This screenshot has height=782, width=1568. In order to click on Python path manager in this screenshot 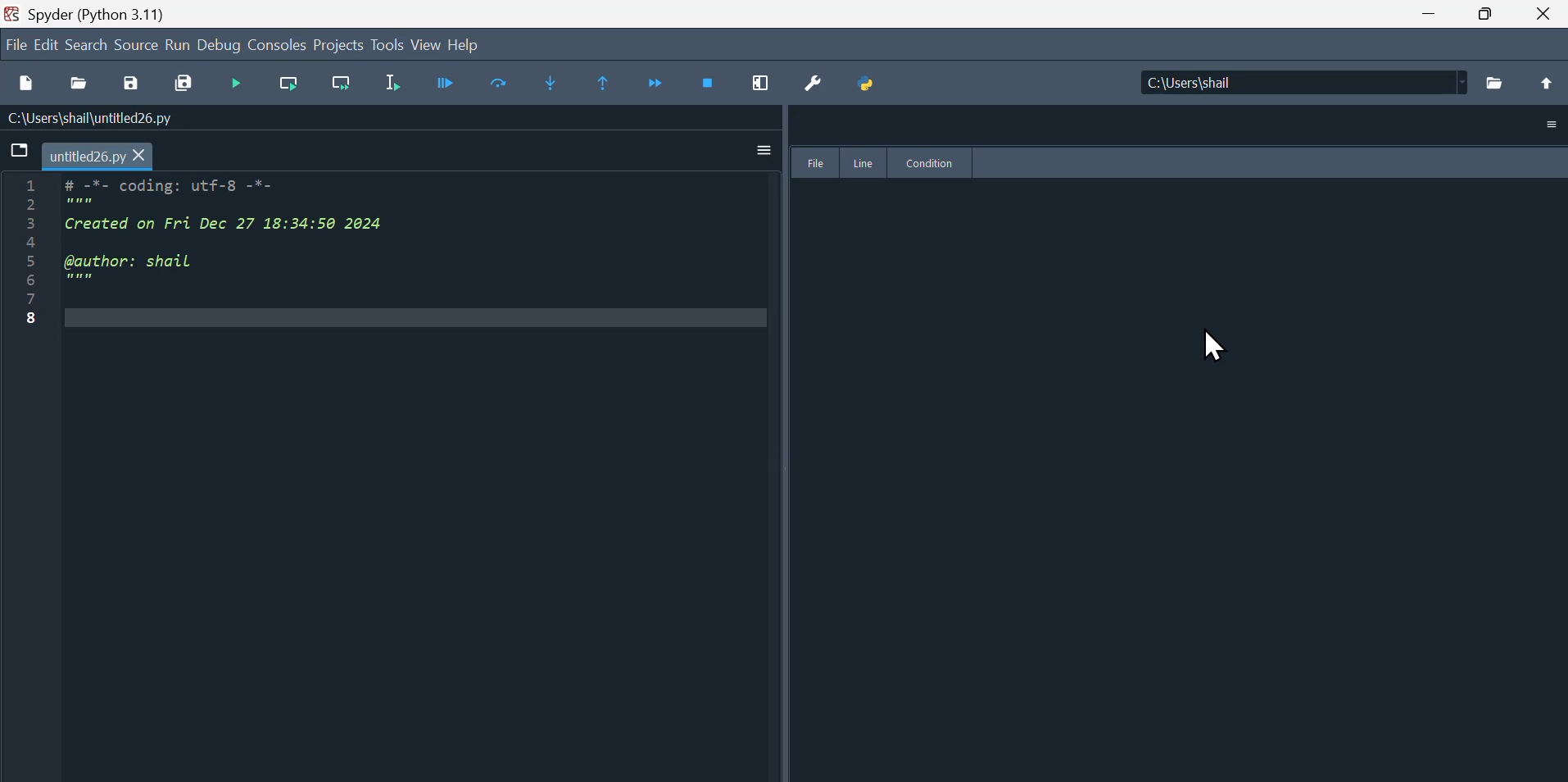, I will do `click(868, 84)`.